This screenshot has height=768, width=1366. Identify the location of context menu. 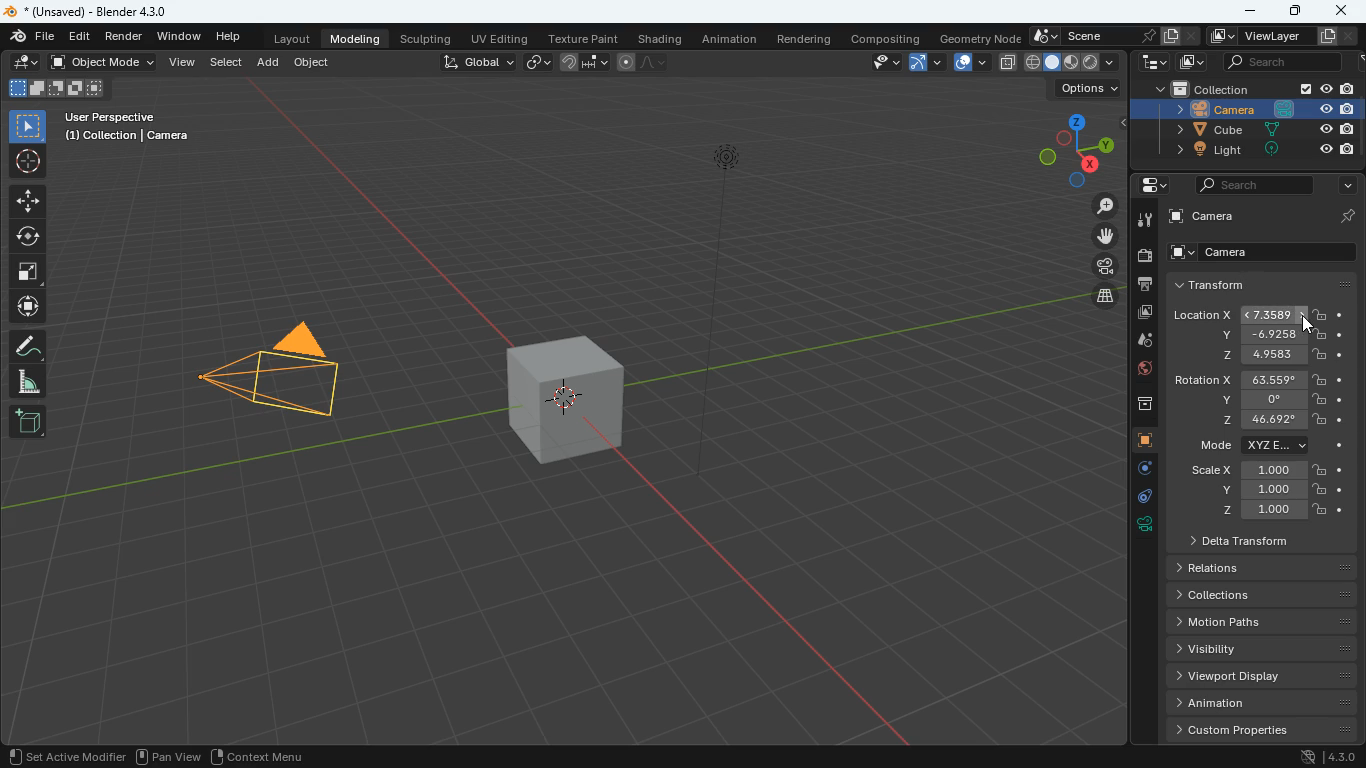
(262, 755).